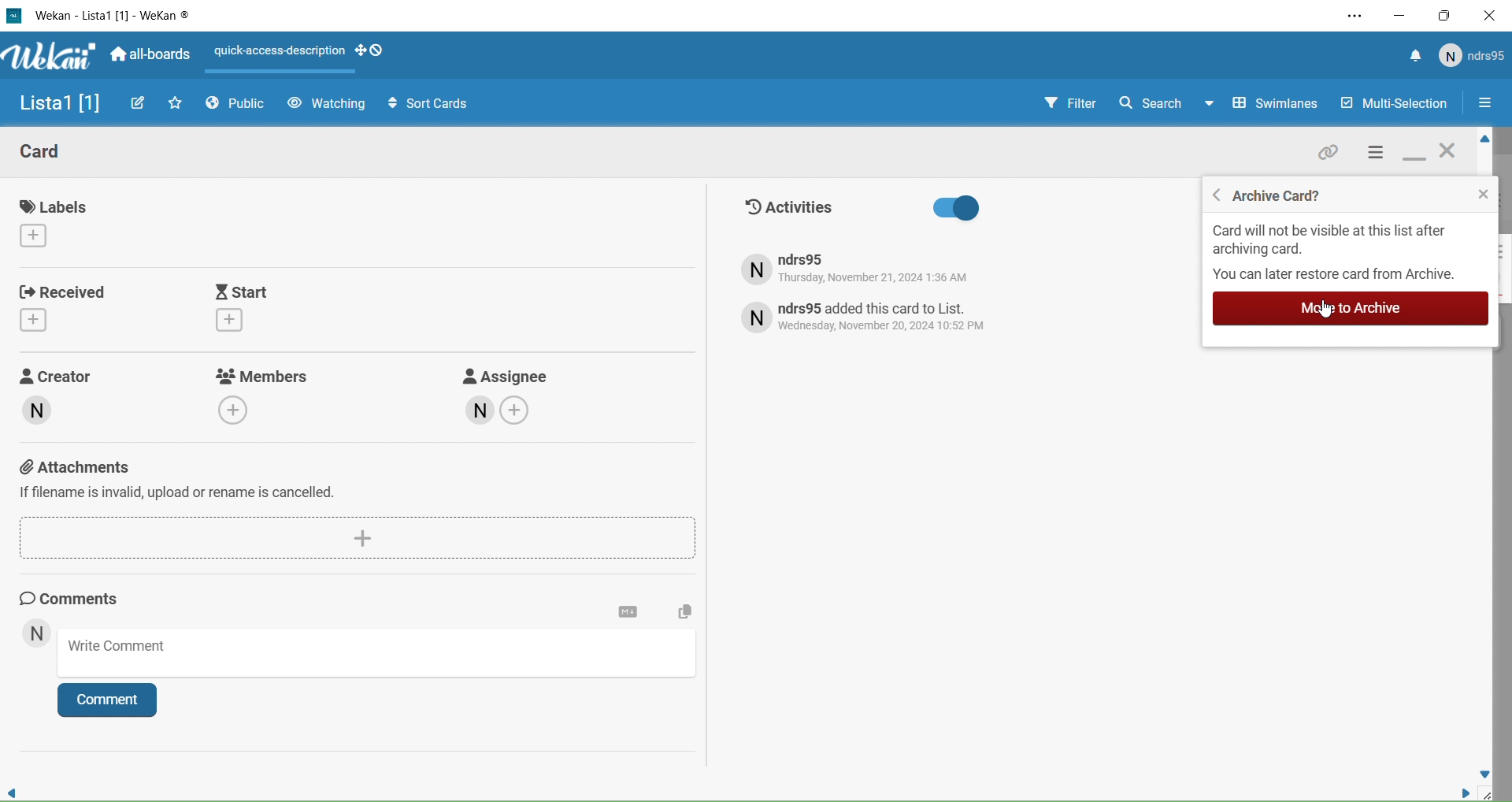 This screenshot has height=802, width=1512. What do you see at coordinates (176, 106) in the screenshot?
I see `Favourites` at bounding box center [176, 106].